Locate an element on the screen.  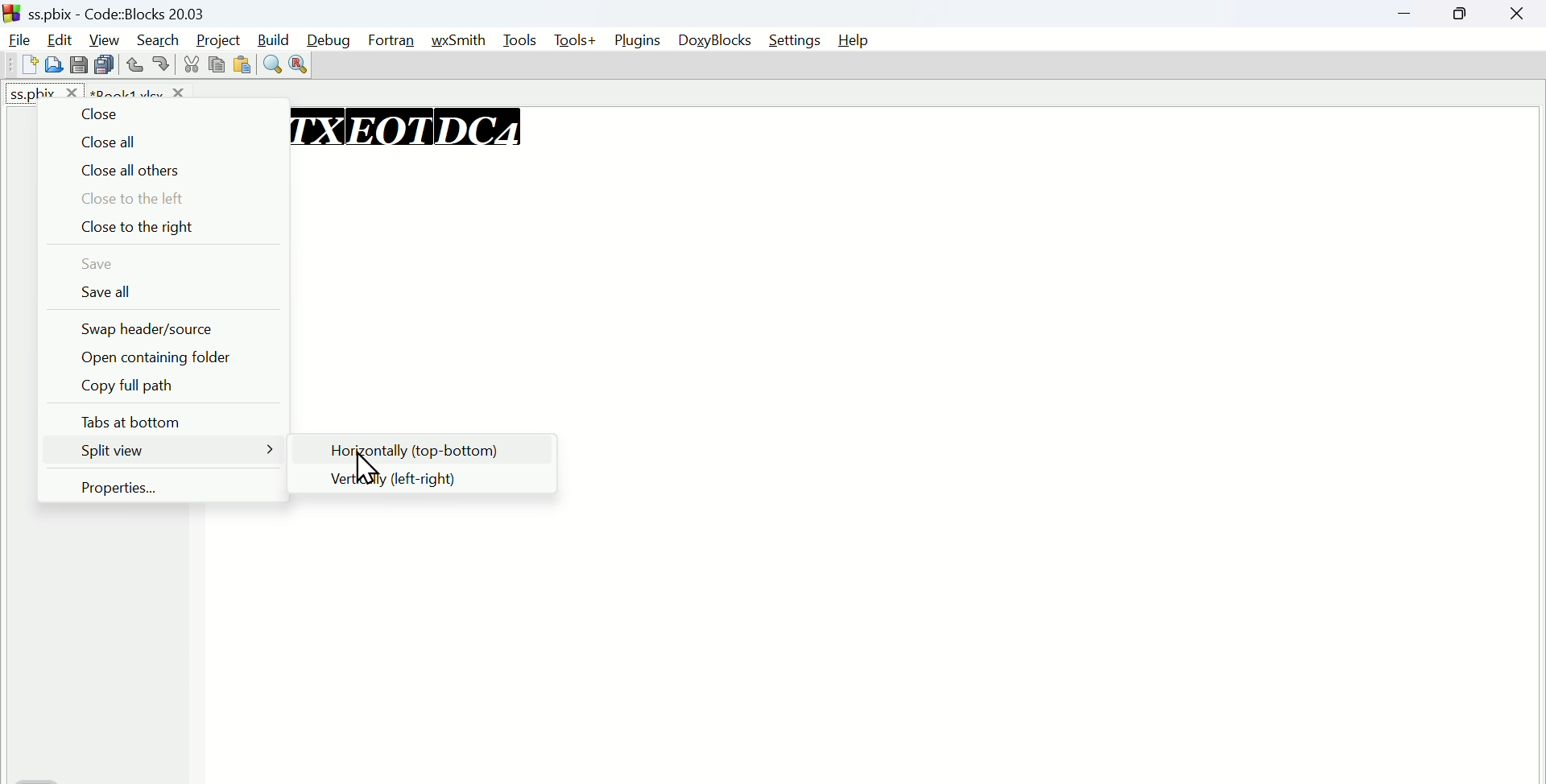
Fortran is located at coordinates (396, 41).